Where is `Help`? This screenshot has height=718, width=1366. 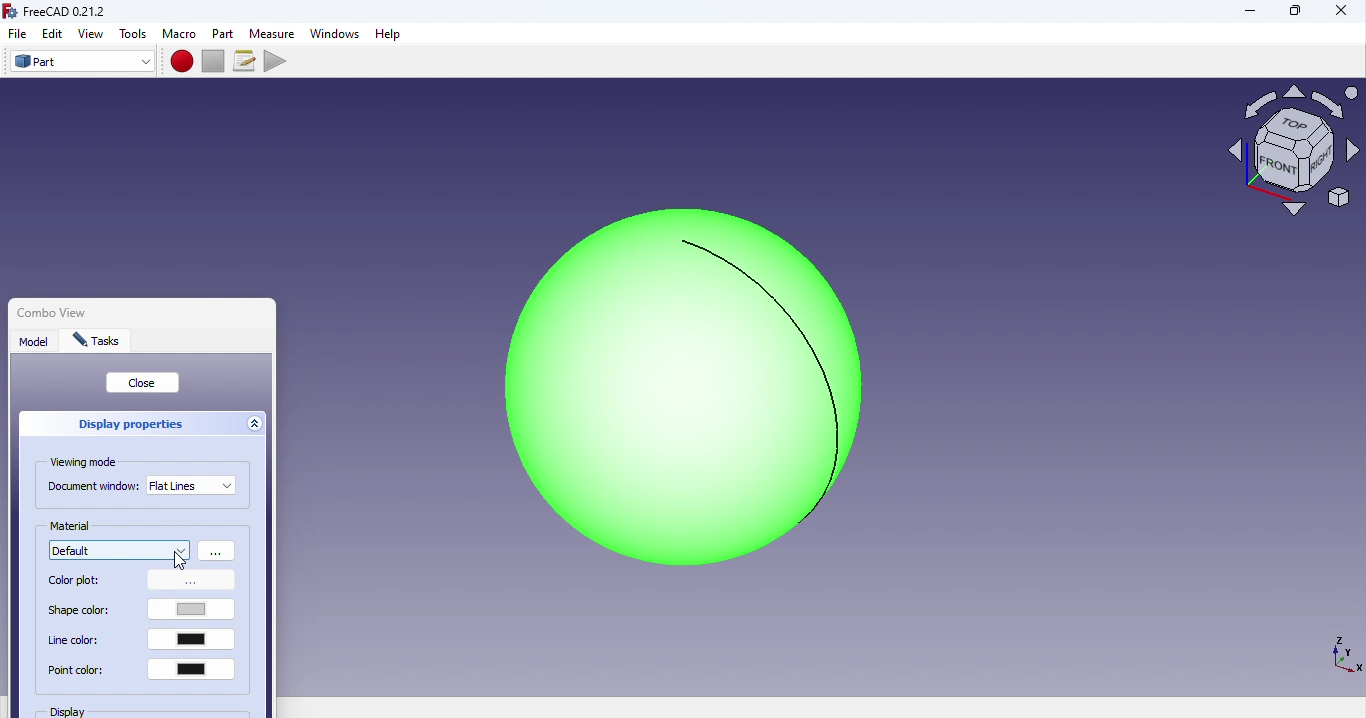
Help is located at coordinates (393, 34).